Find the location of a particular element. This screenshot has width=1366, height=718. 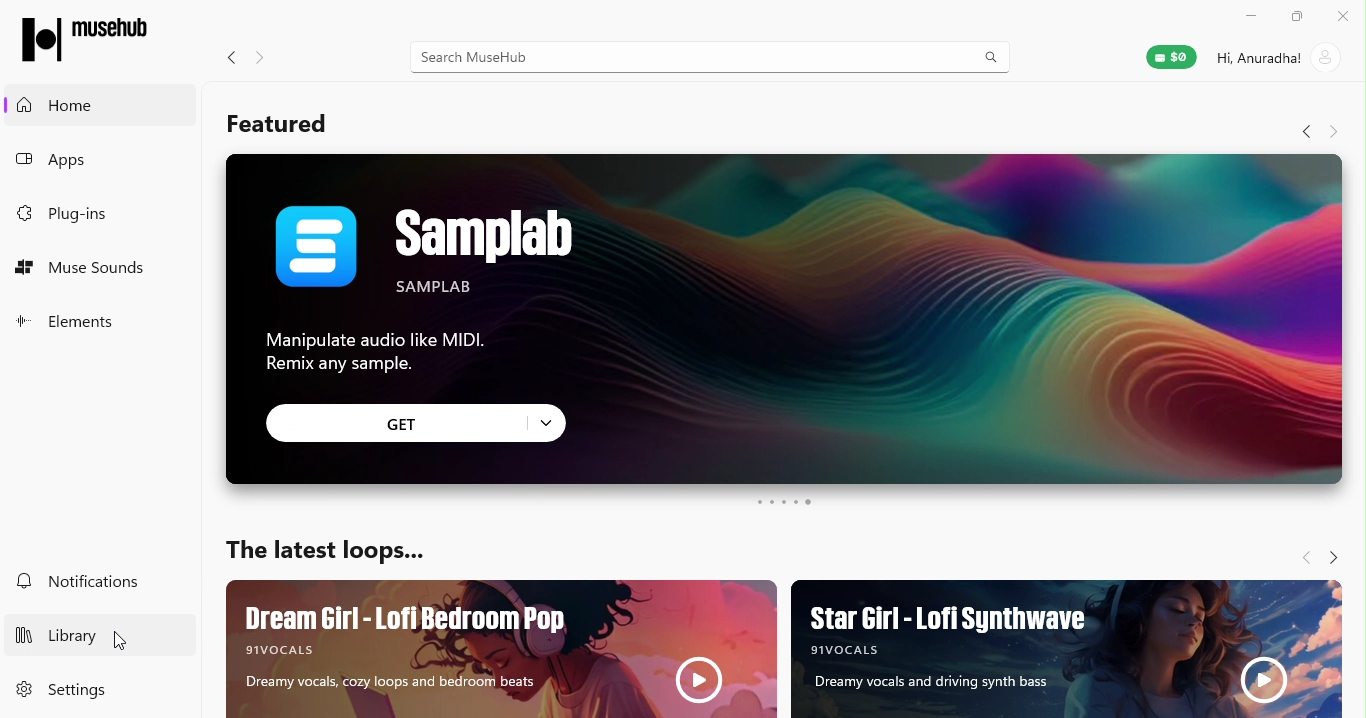

Cursor is located at coordinates (127, 640).